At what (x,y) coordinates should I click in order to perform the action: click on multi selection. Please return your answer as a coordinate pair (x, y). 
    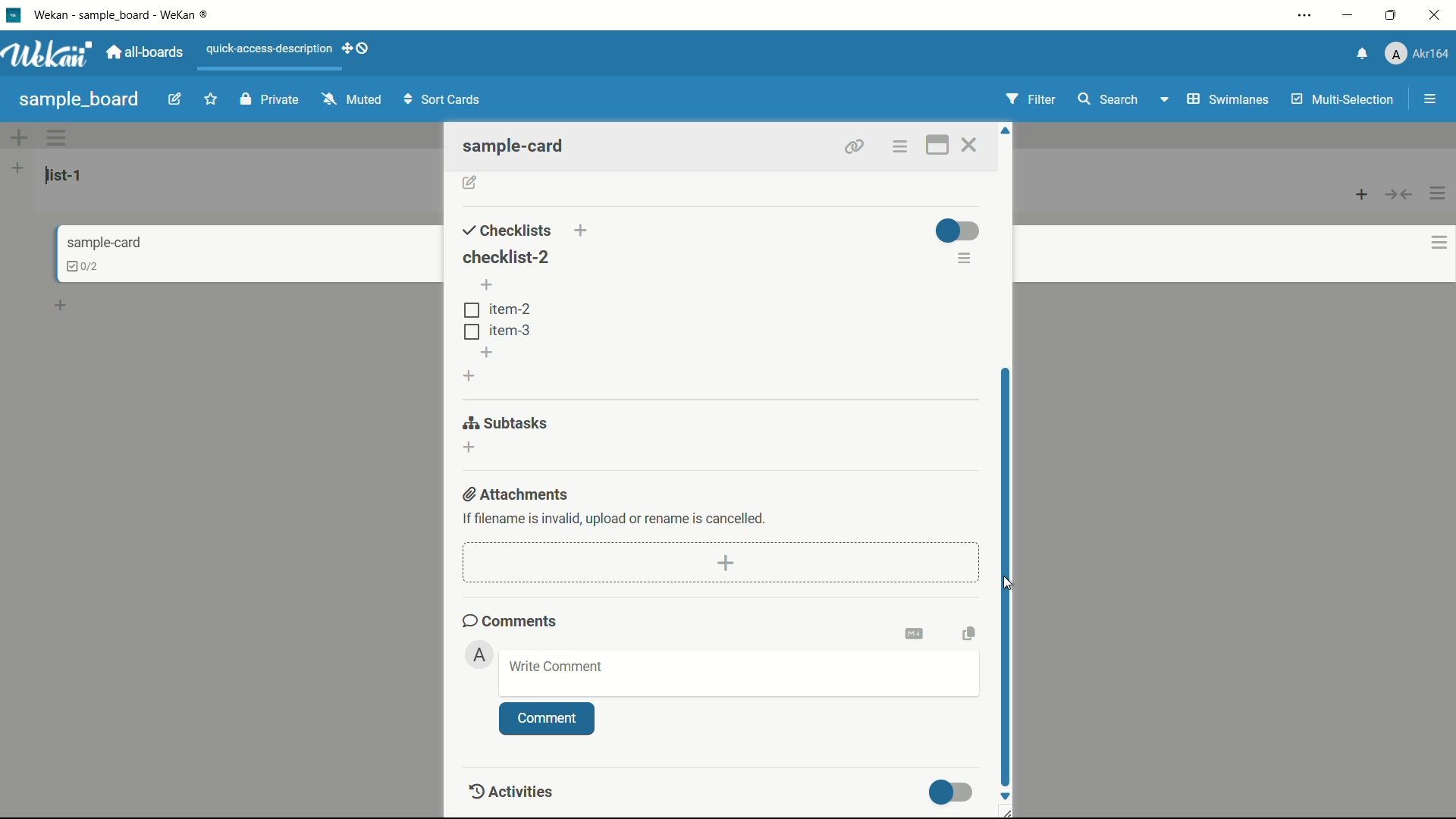
    Looking at the image, I should click on (1341, 101).